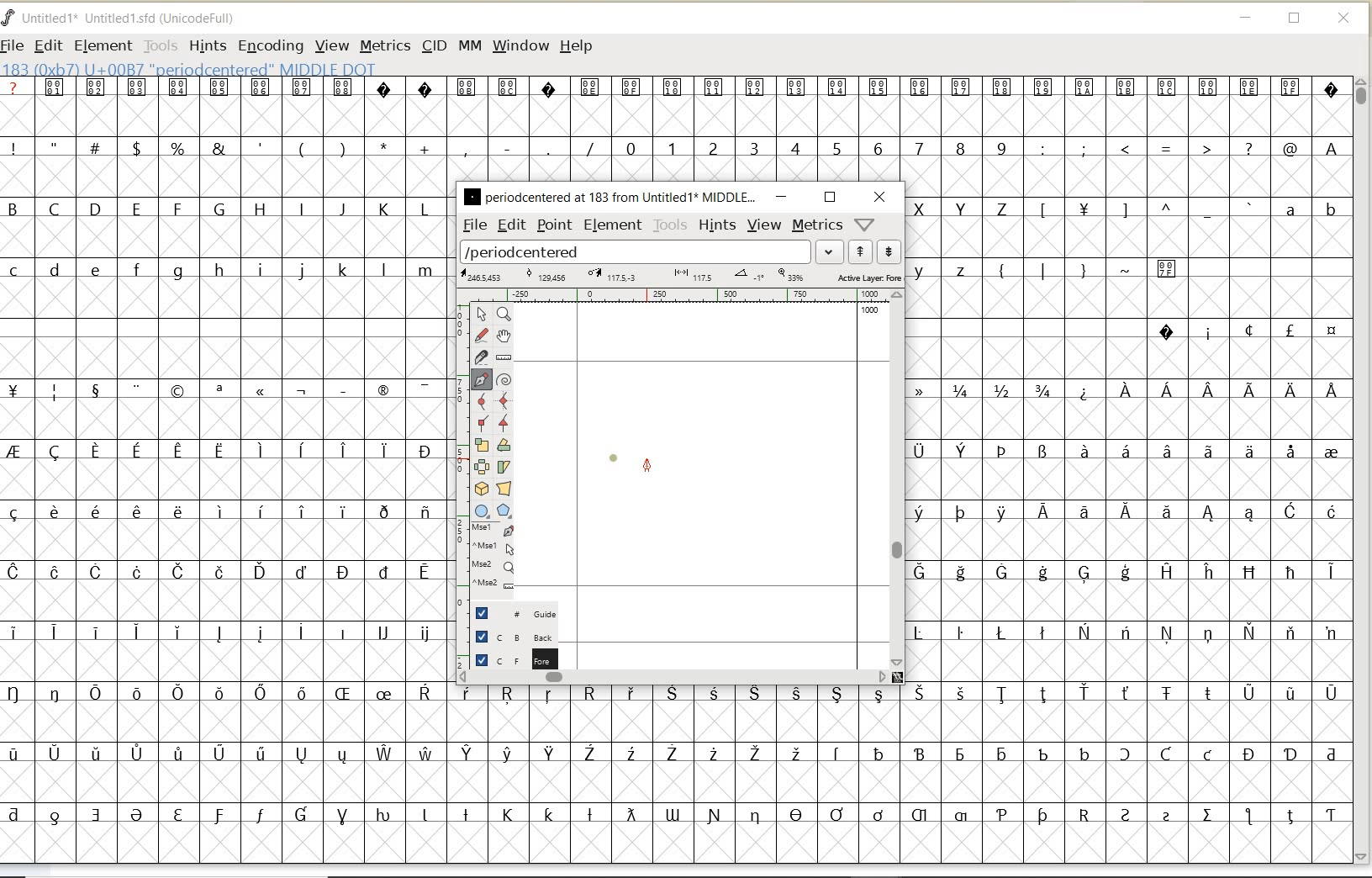  I want to click on rectangle or ellipse, so click(482, 510).